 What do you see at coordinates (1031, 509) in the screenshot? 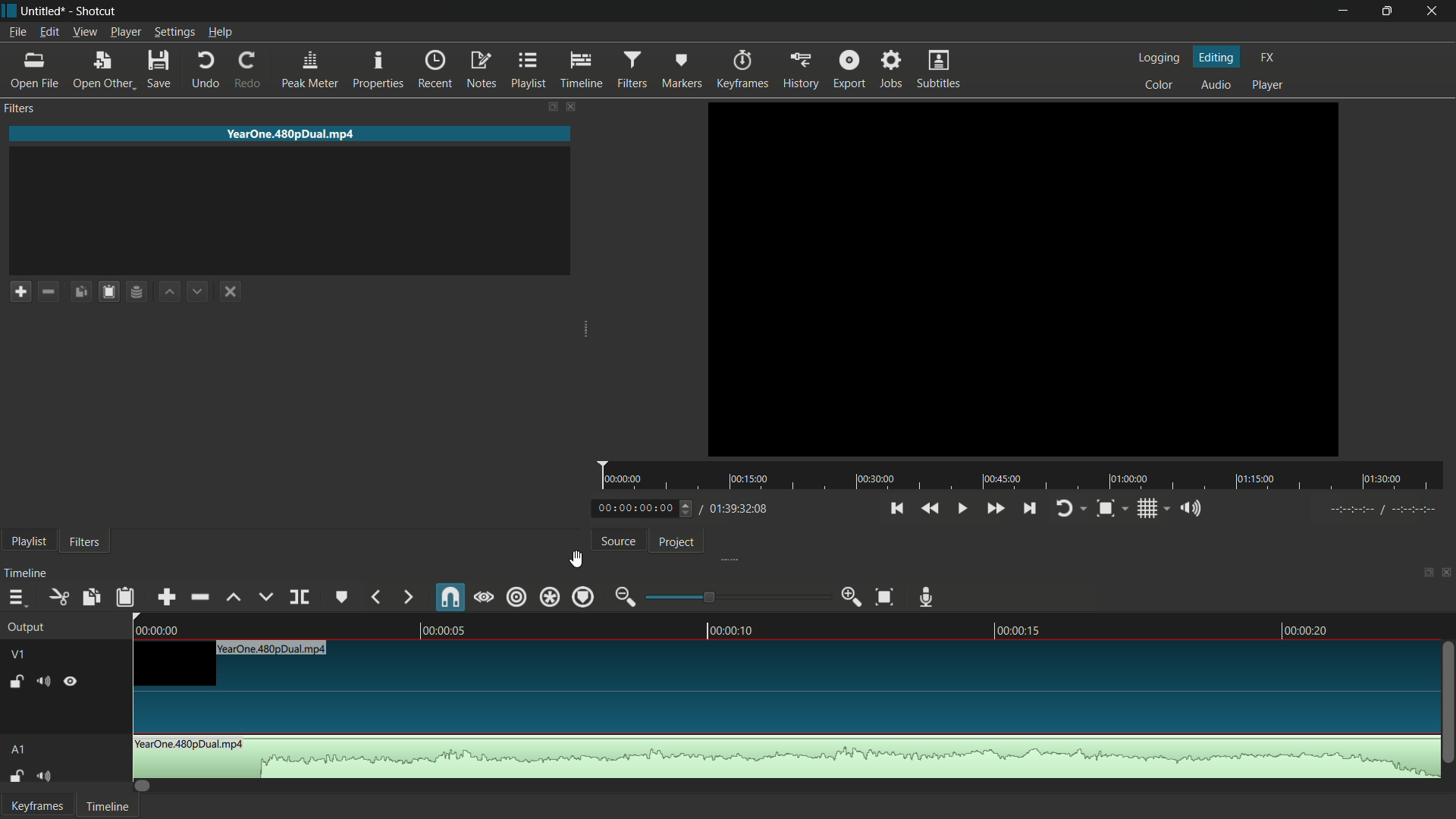
I see `skip to the next point` at bounding box center [1031, 509].